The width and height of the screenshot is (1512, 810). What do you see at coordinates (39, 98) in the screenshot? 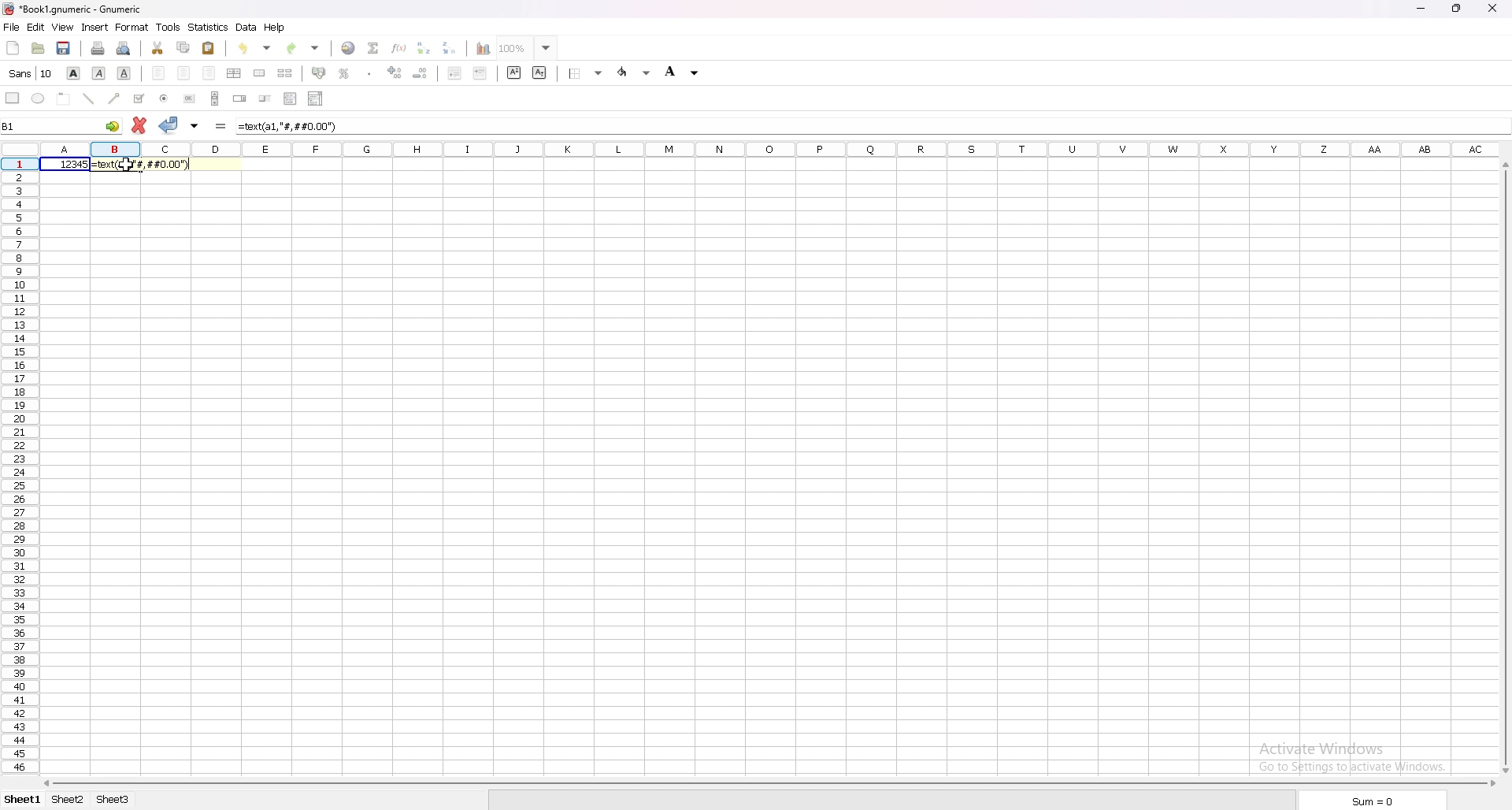
I see `ellipse` at bounding box center [39, 98].